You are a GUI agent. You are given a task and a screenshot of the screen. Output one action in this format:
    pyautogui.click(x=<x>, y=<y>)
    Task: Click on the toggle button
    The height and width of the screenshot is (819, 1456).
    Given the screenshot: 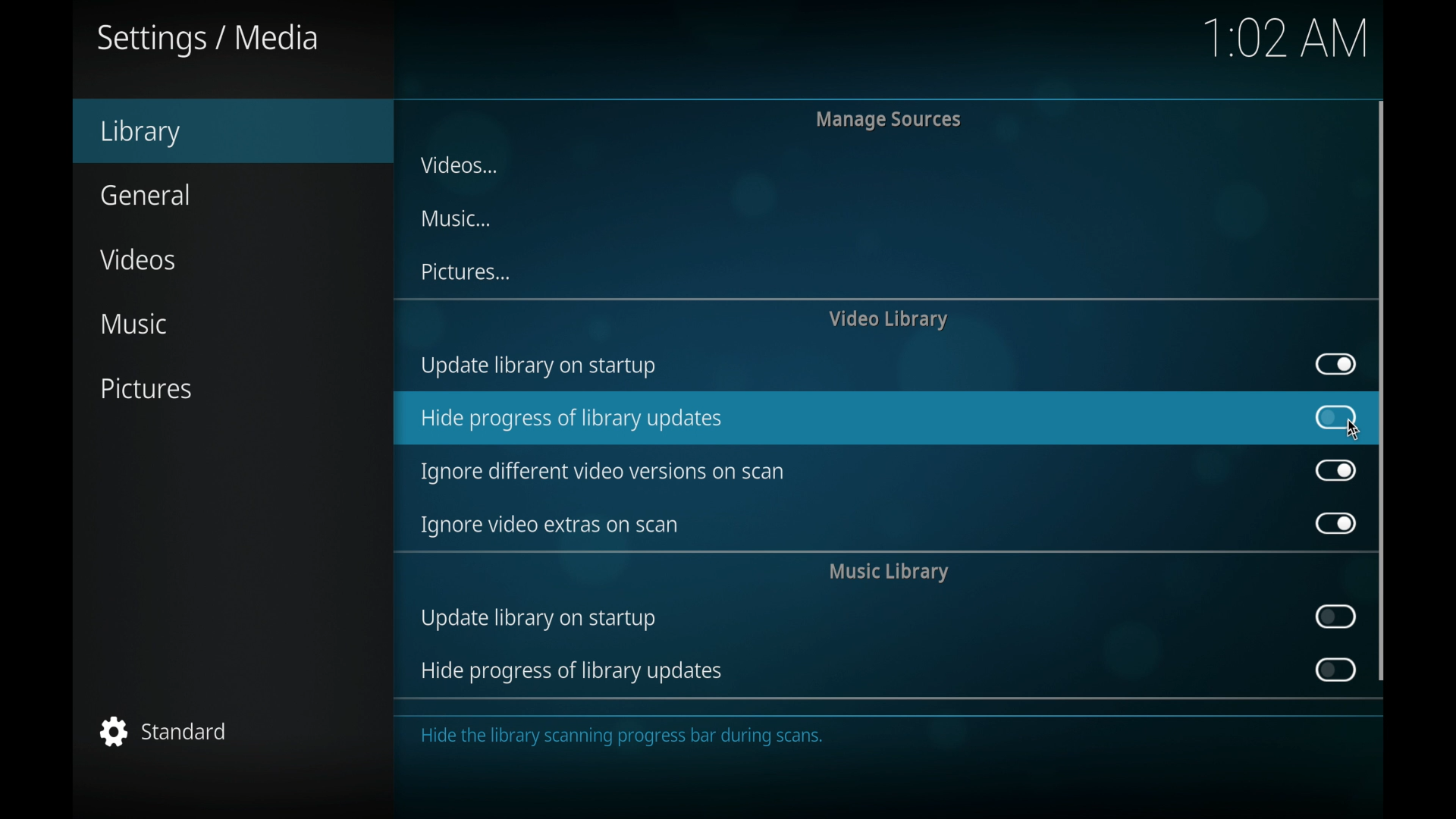 What is the action you would take?
    pyautogui.click(x=1335, y=523)
    